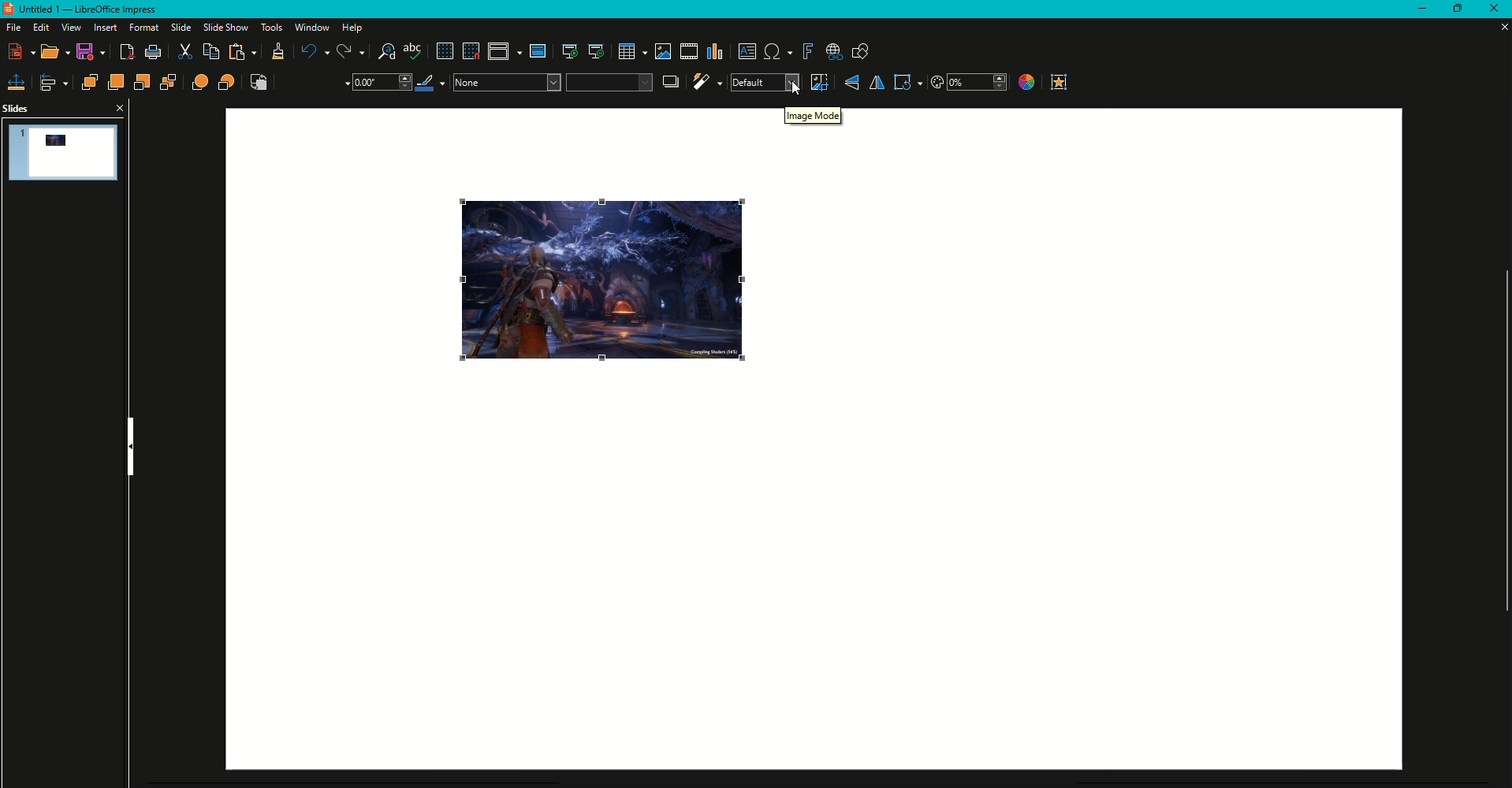  I want to click on Back, so click(169, 84).